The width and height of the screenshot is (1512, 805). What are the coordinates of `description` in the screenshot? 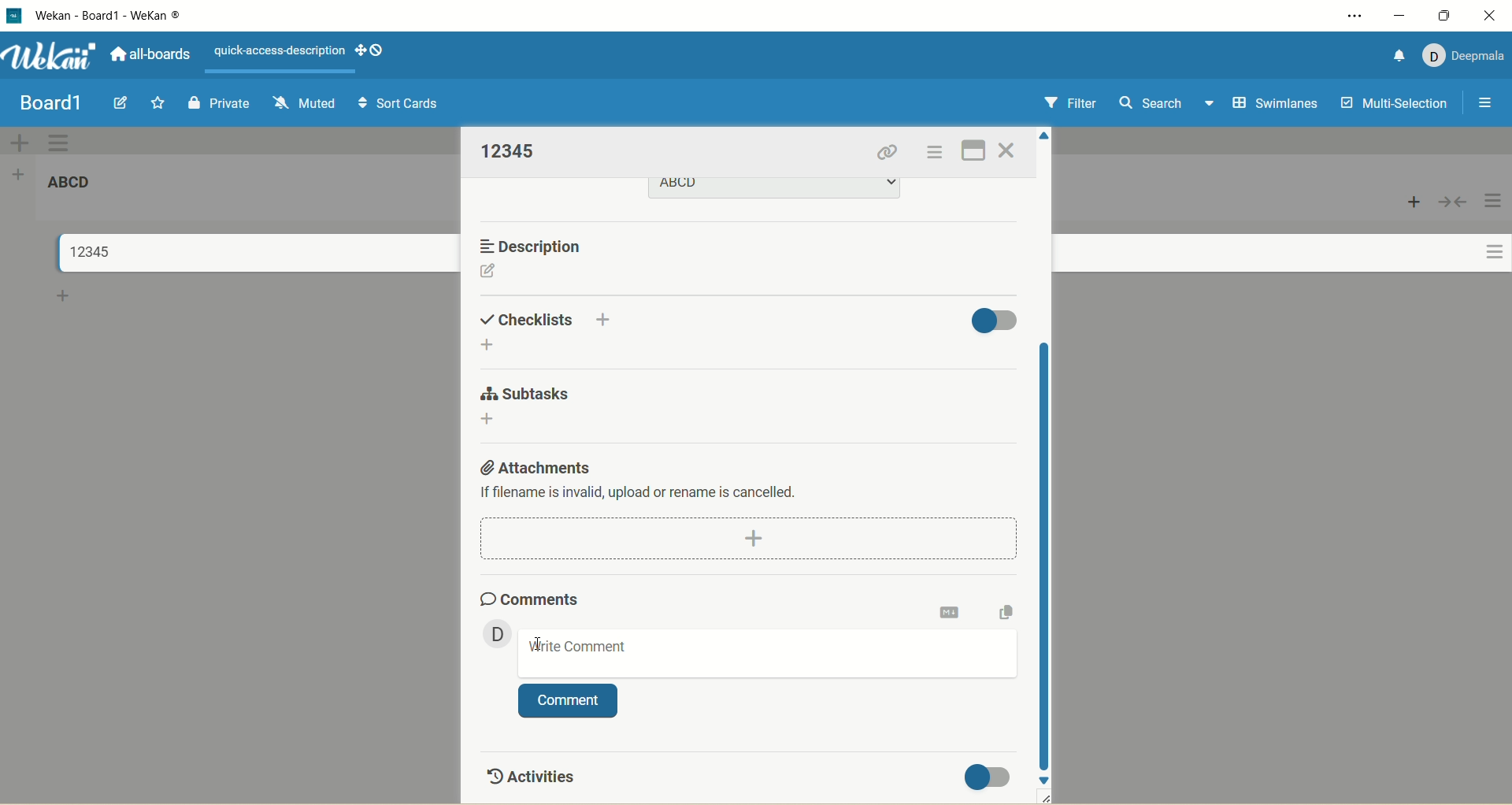 It's located at (536, 246).